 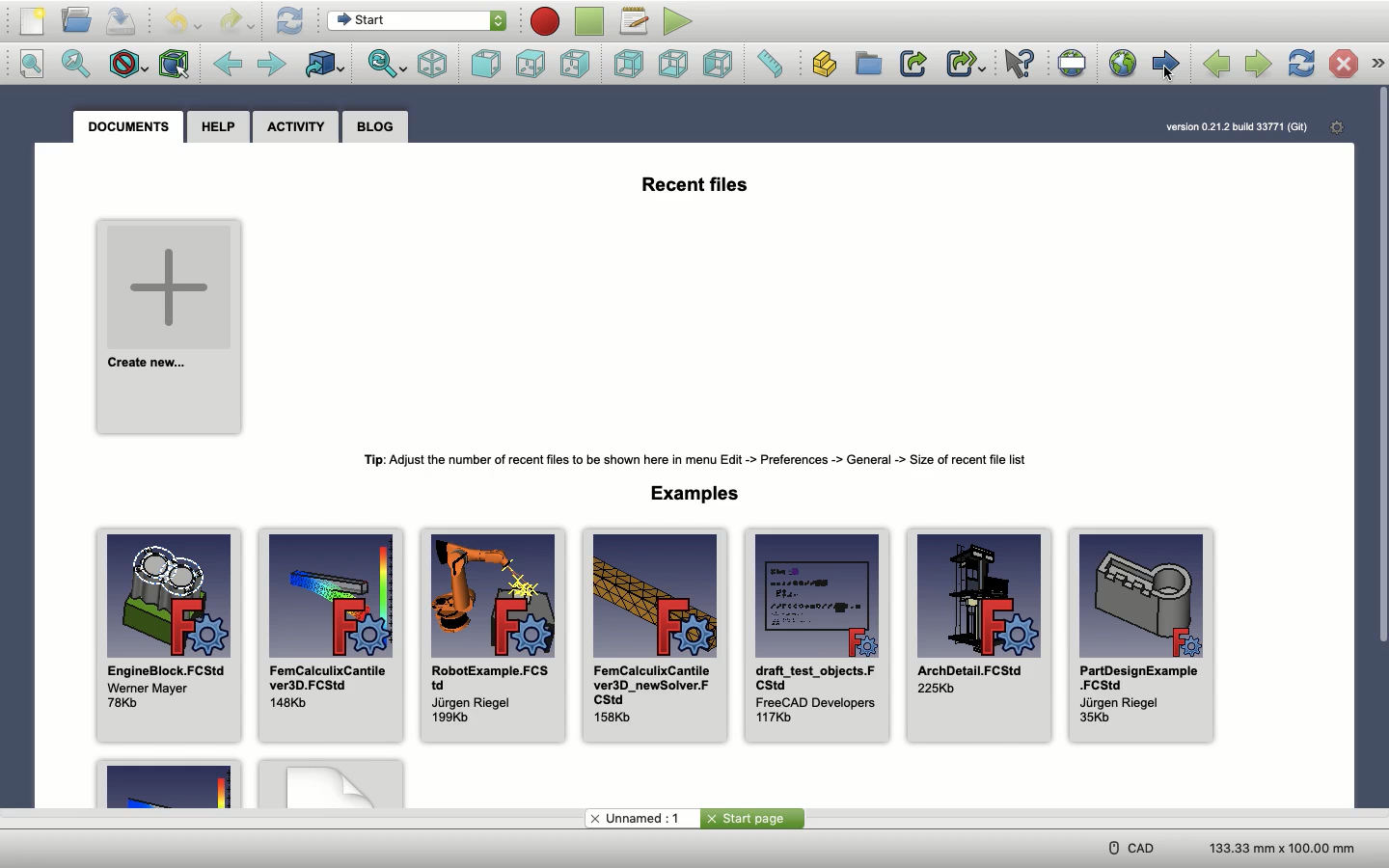 What do you see at coordinates (815, 637) in the screenshot?
I see `draft_test_objects.FCStd` at bounding box center [815, 637].